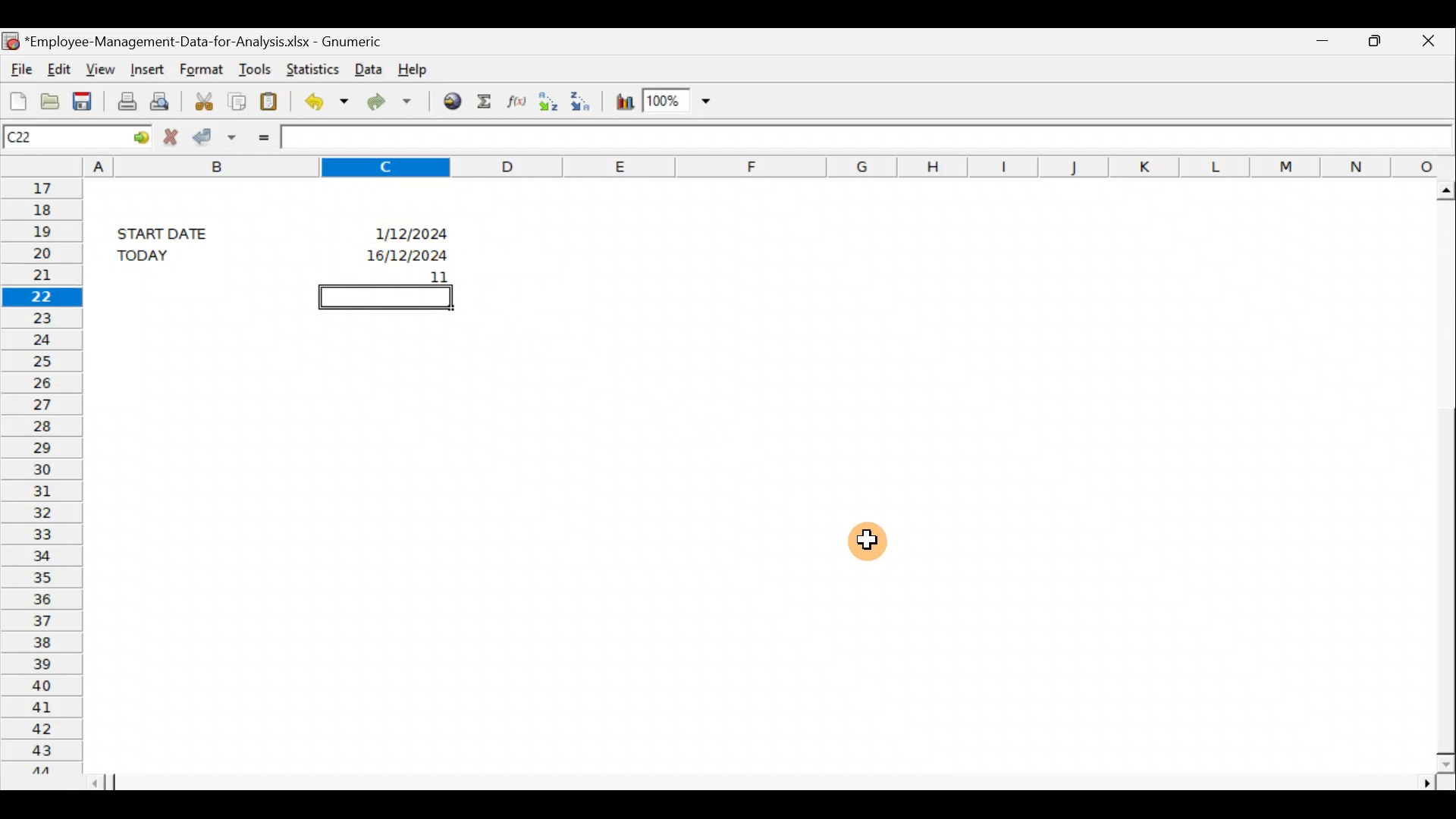  I want to click on Sum into the current cell, so click(484, 102).